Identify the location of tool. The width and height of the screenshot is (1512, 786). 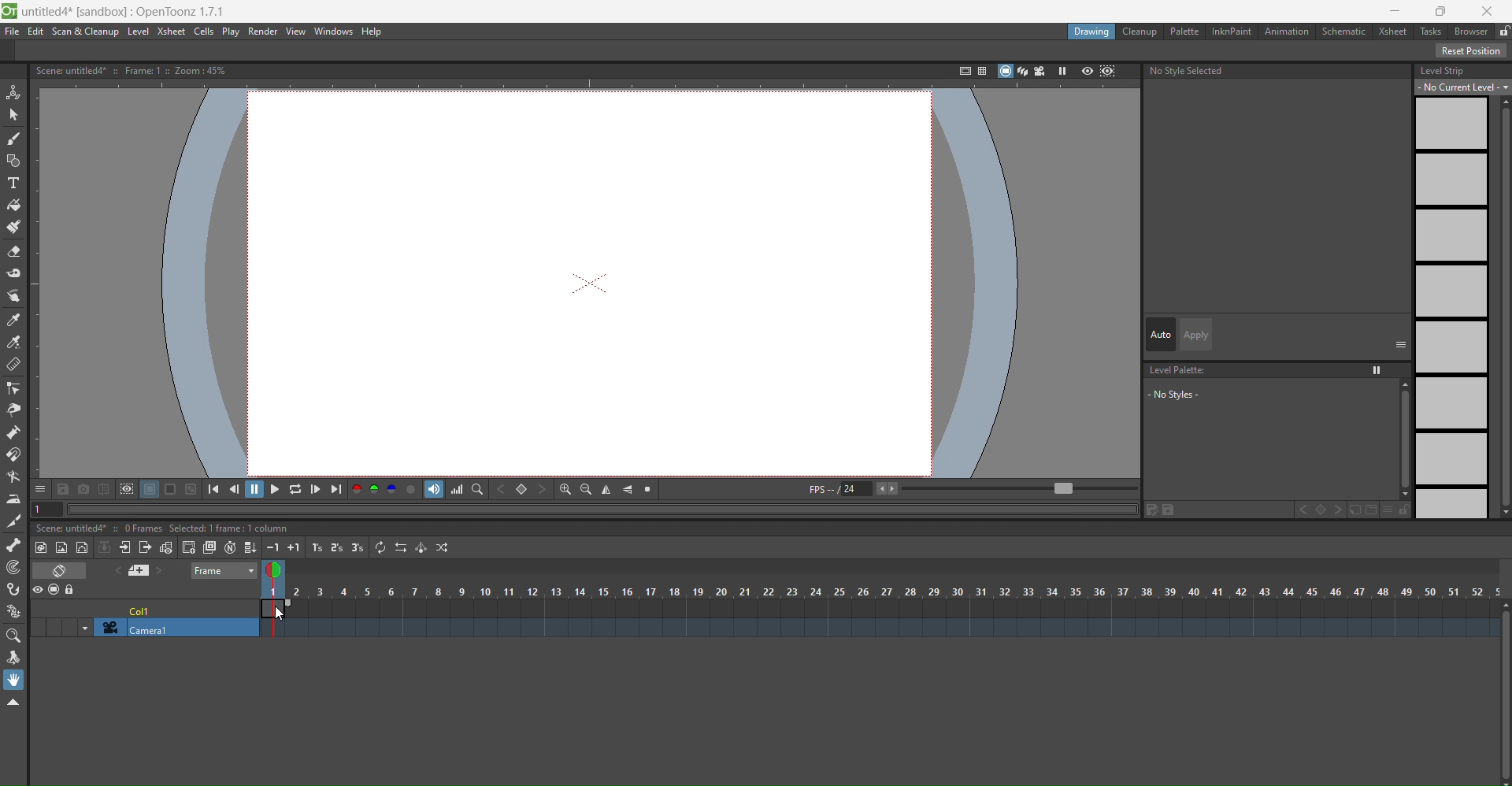
(103, 488).